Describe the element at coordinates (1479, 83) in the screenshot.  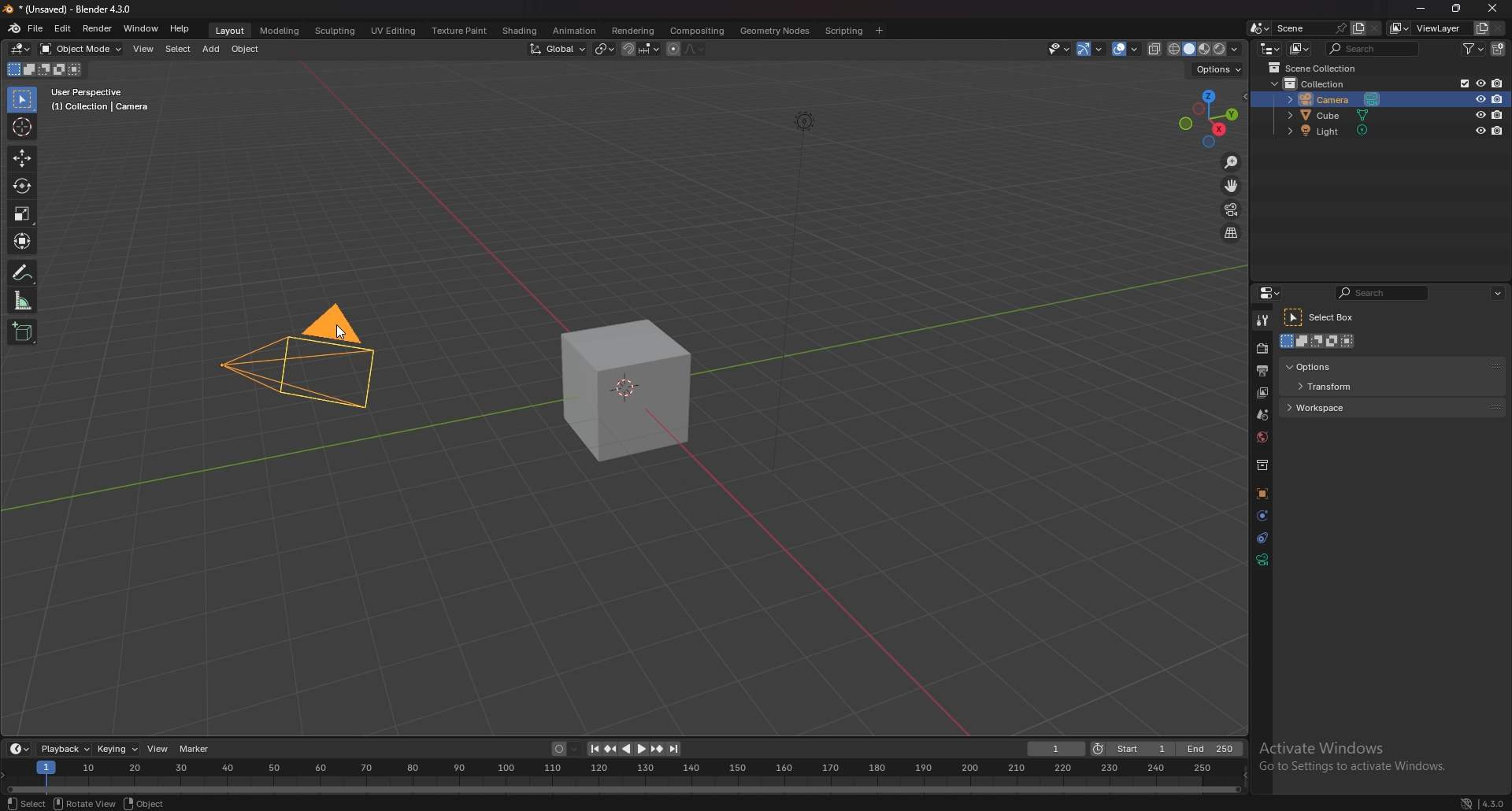
I see `hide in viewport` at that location.